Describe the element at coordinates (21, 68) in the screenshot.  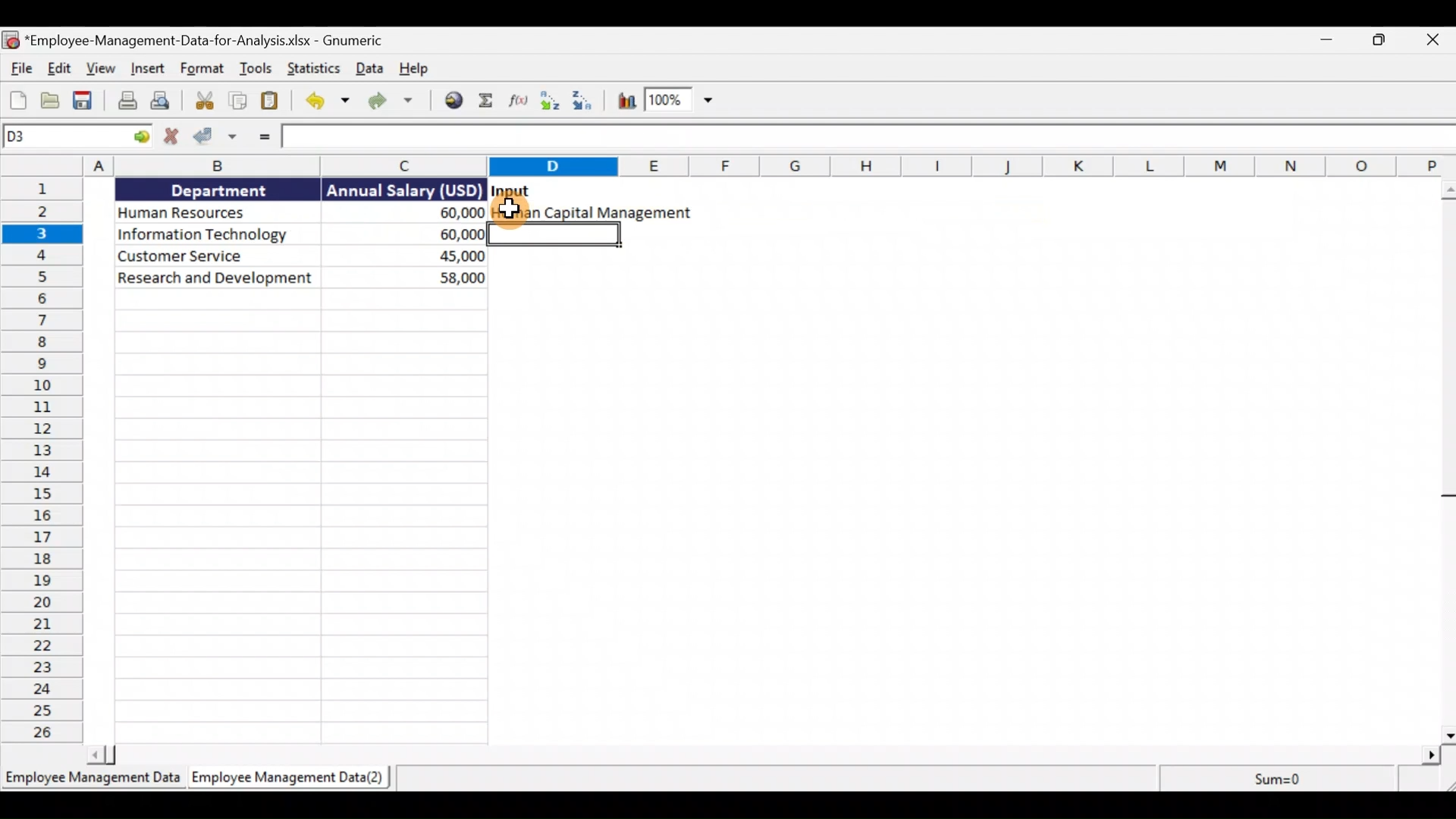
I see `File` at that location.